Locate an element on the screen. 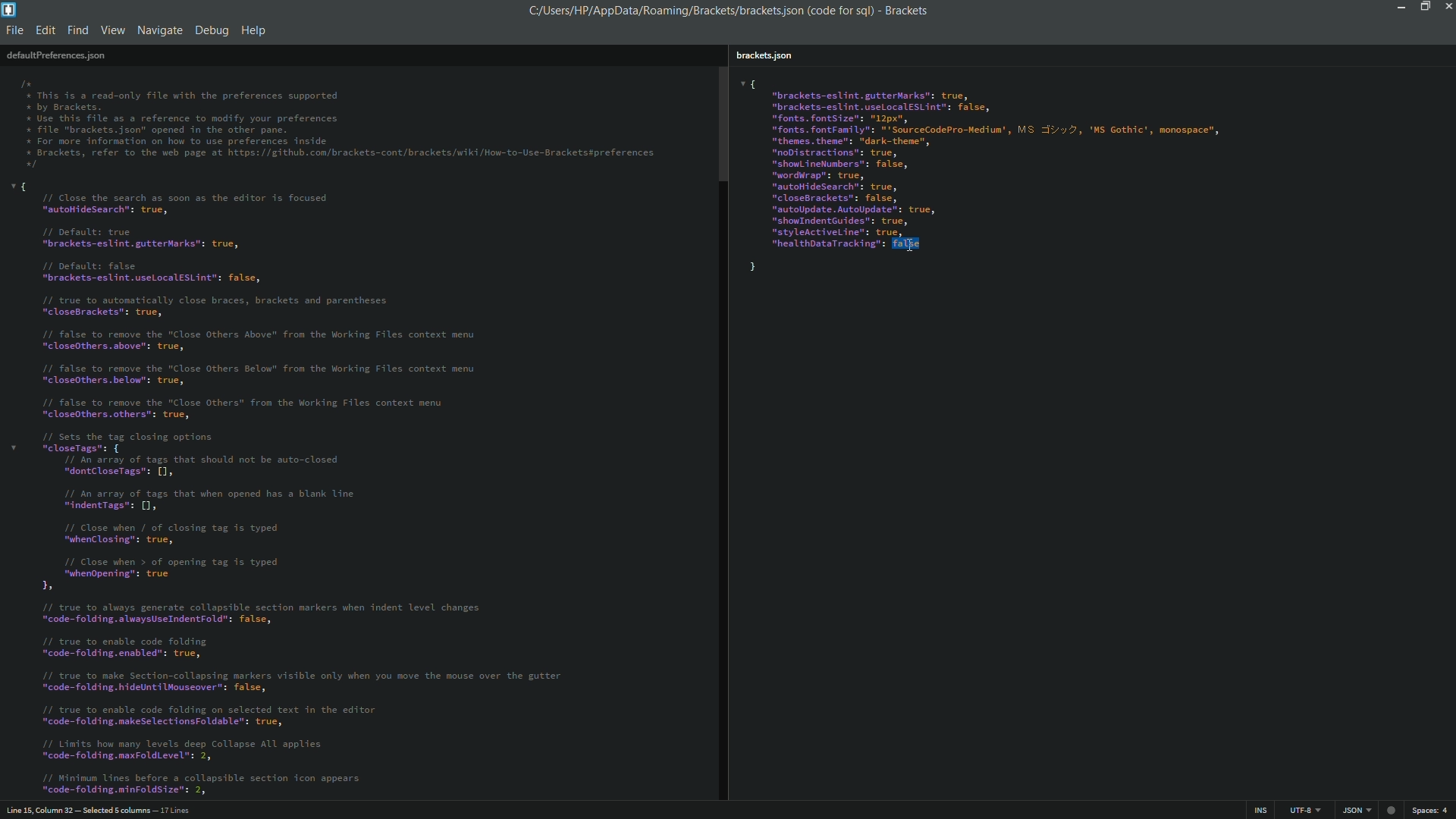  Number of lines is located at coordinates (176, 810).